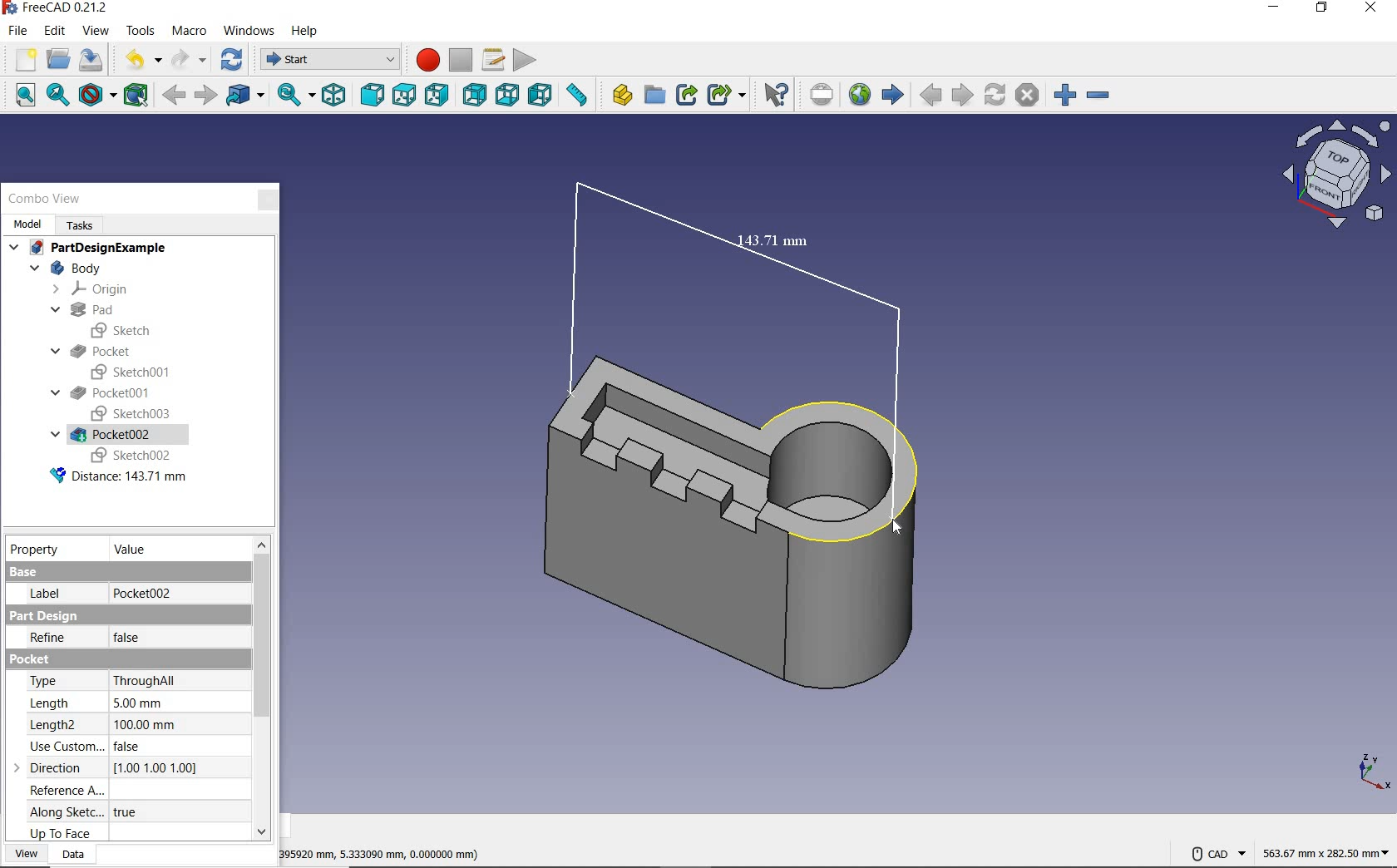  I want to click on part design, so click(44, 619).